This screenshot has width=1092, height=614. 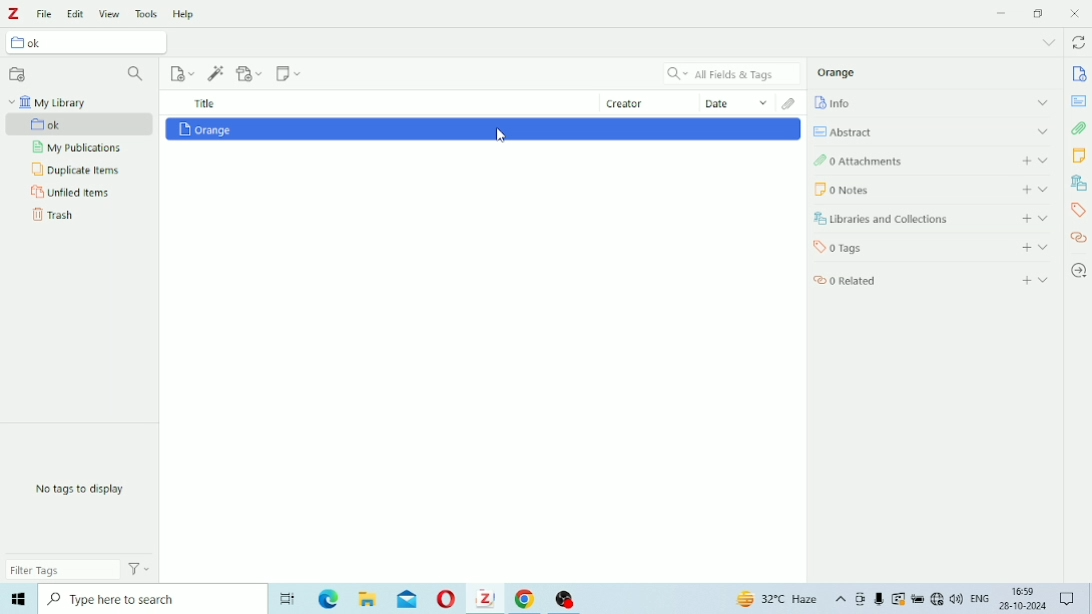 I want to click on Abstract, so click(x=1078, y=101).